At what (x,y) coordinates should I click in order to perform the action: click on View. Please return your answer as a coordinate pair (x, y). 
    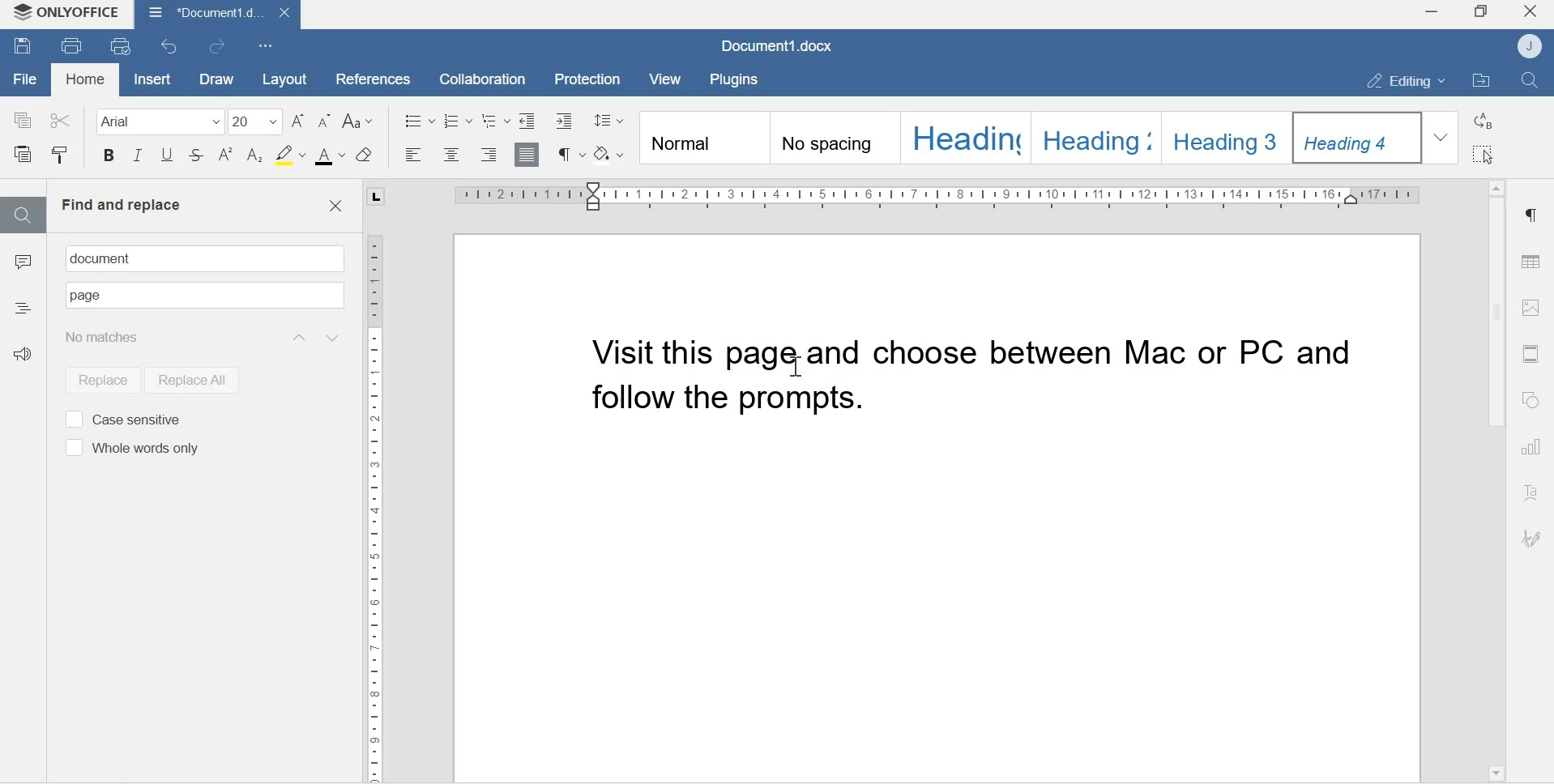
    Looking at the image, I should click on (668, 79).